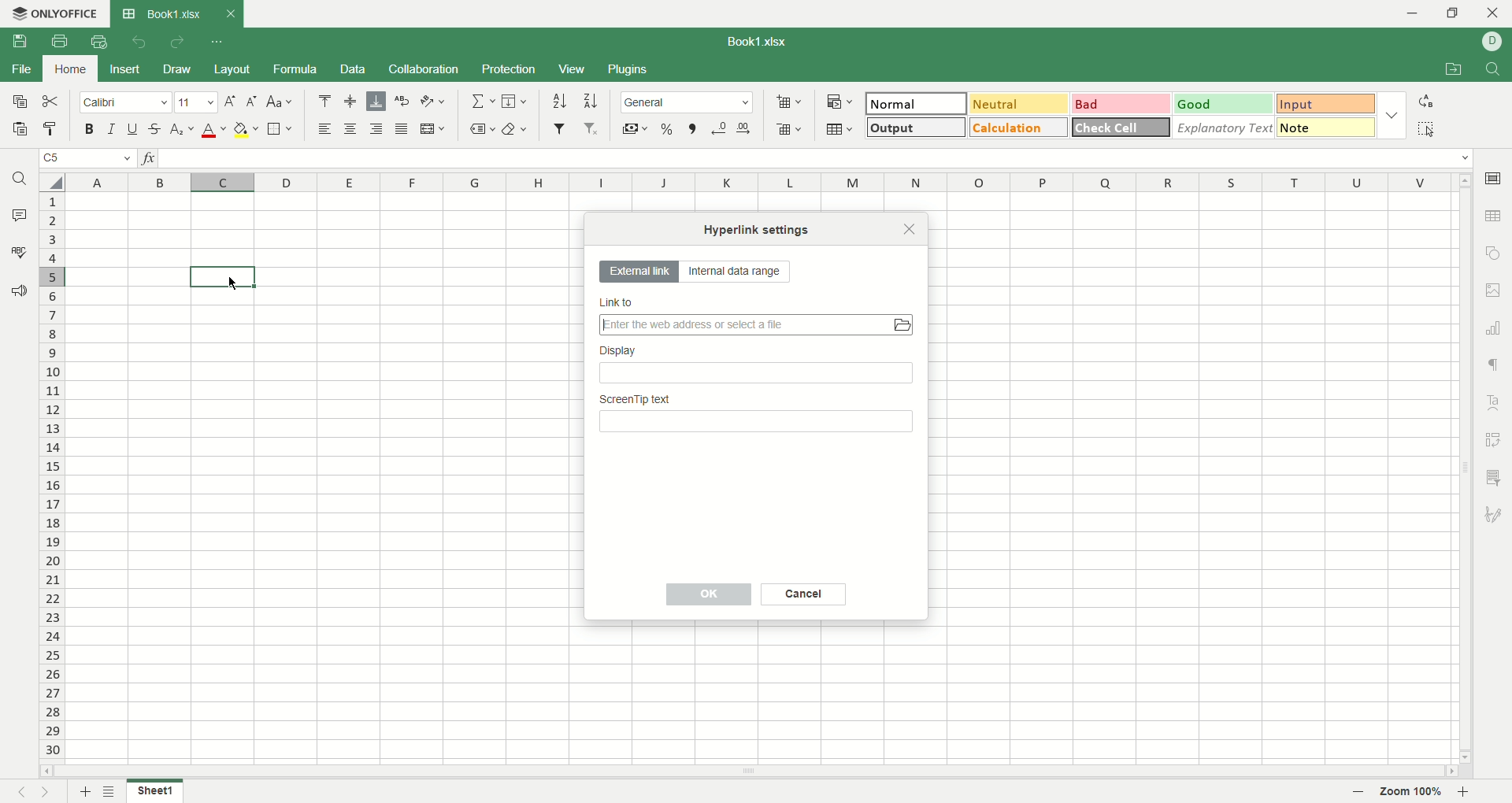  Describe the element at coordinates (53, 13) in the screenshot. I see `ONLYOFFICE` at that location.